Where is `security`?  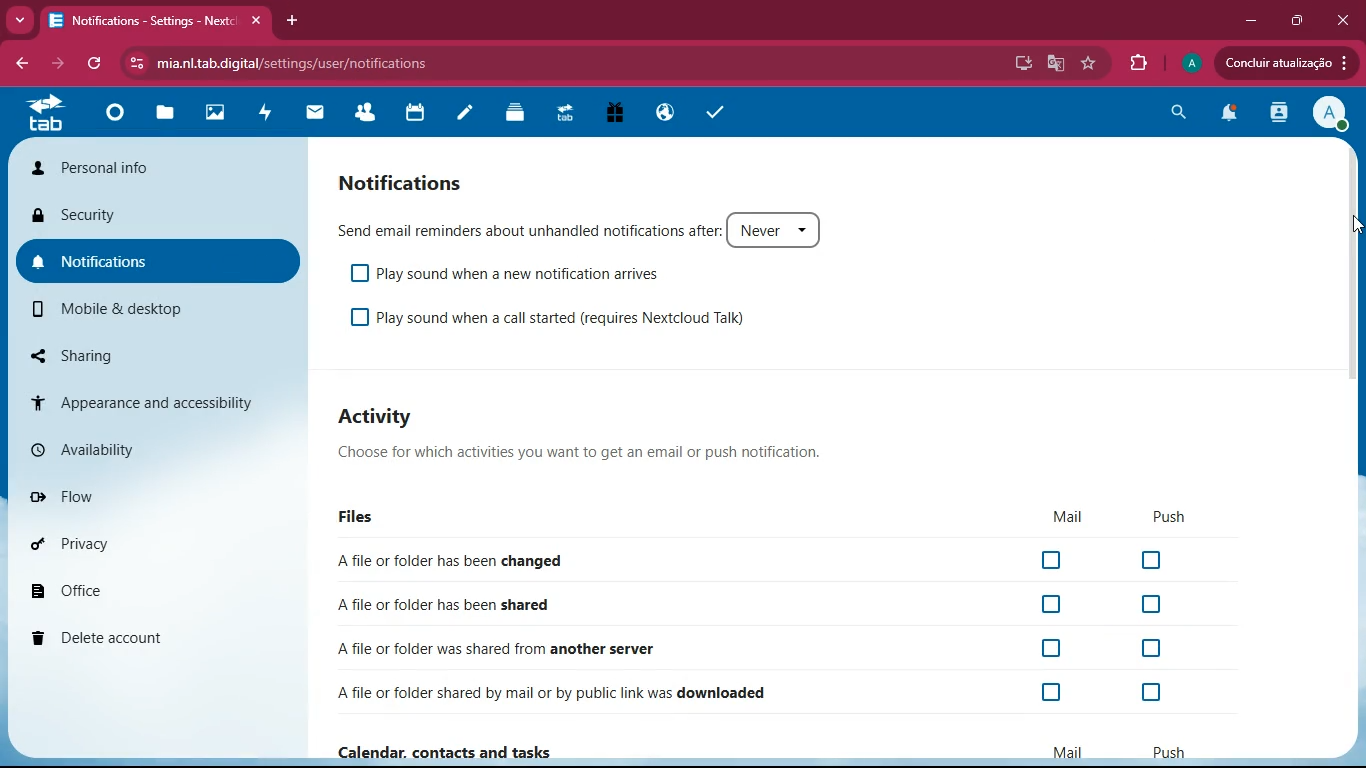 security is located at coordinates (148, 215).